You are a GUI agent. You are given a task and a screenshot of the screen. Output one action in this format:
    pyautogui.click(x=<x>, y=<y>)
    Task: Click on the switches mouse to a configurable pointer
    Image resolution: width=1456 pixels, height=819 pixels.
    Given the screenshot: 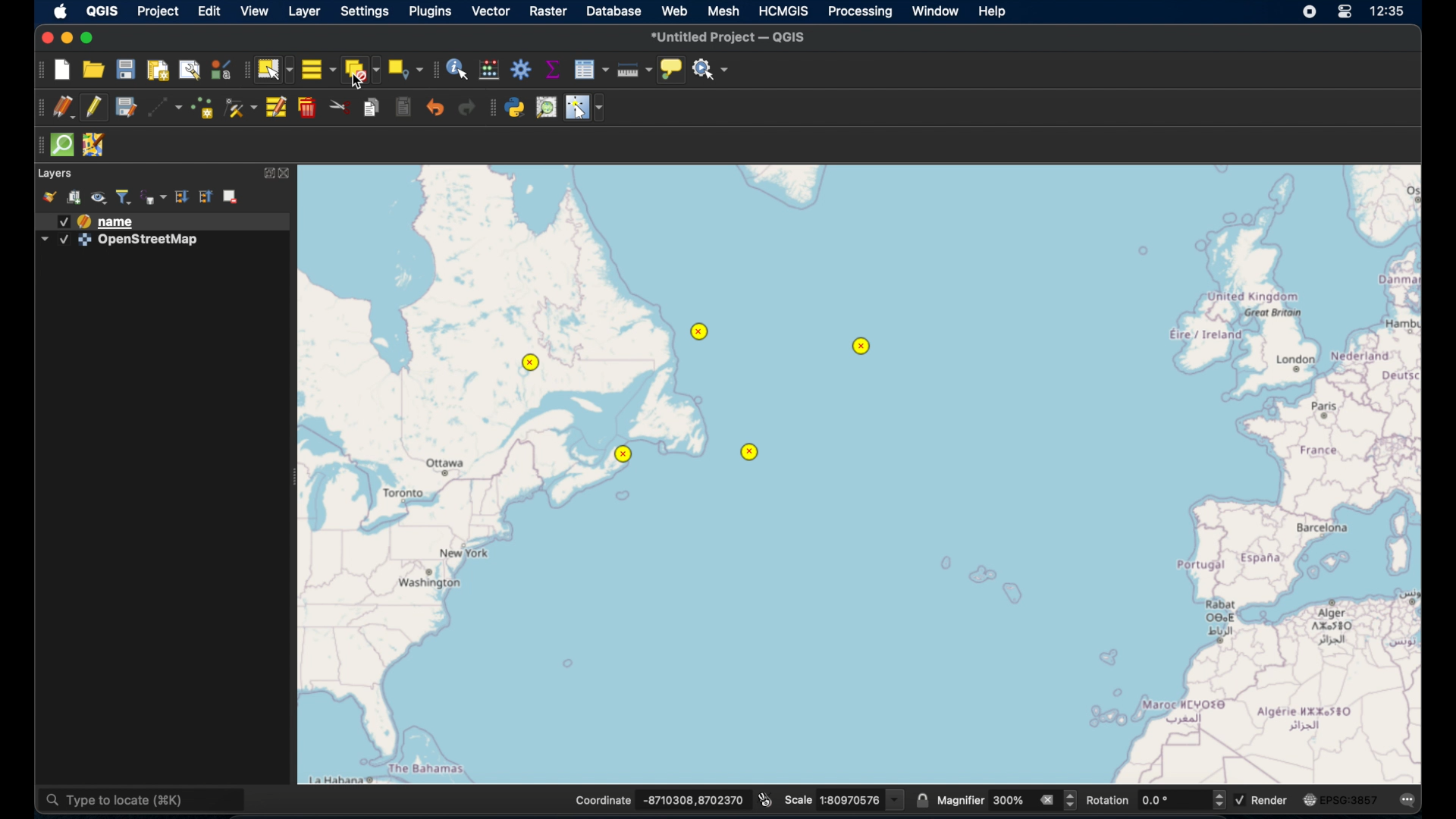 What is the action you would take?
    pyautogui.click(x=585, y=108)
    